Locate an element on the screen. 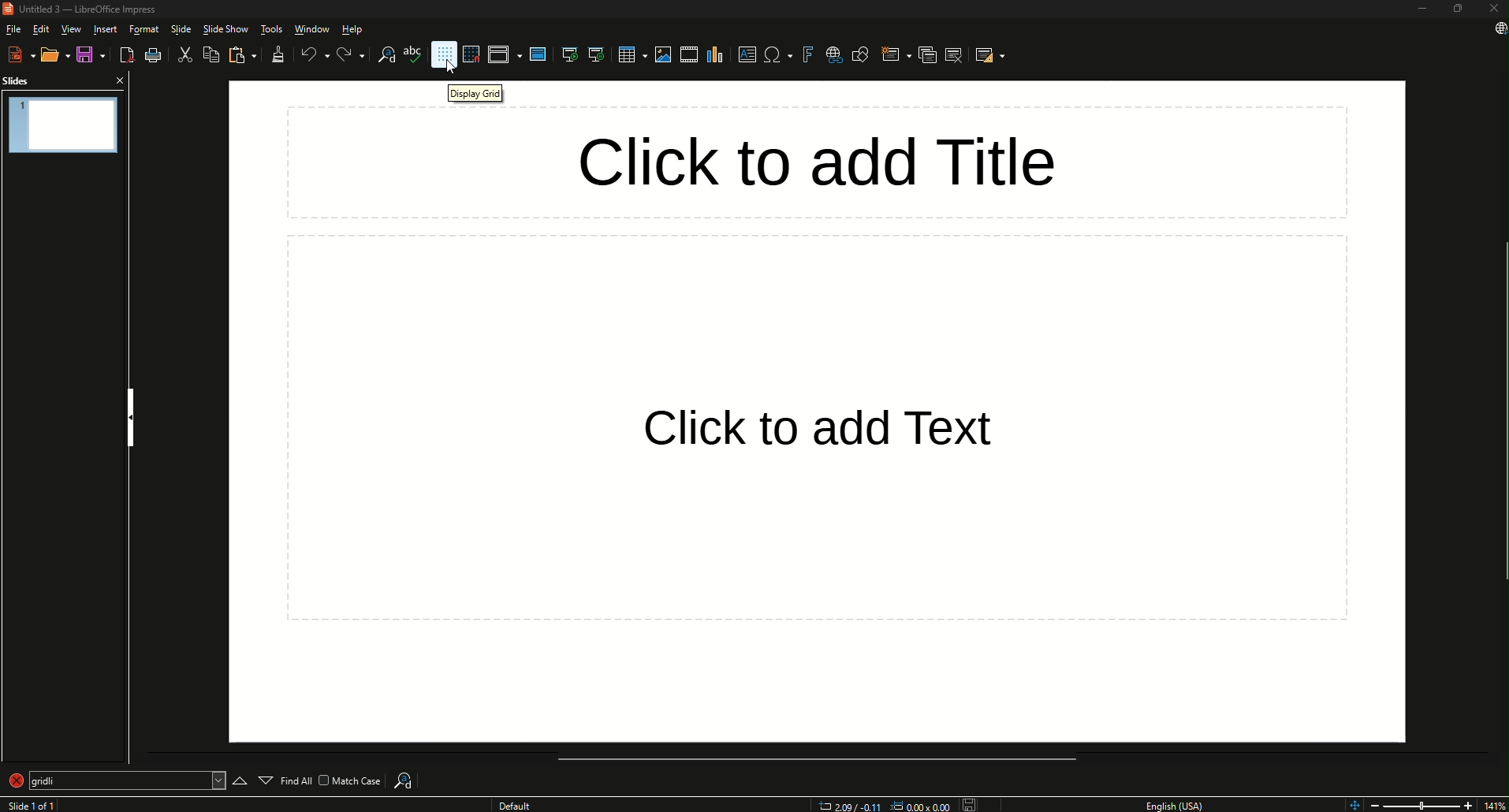 The width and height of the screenshot is (1509, 812). Print is located at coordinates (157, 54).